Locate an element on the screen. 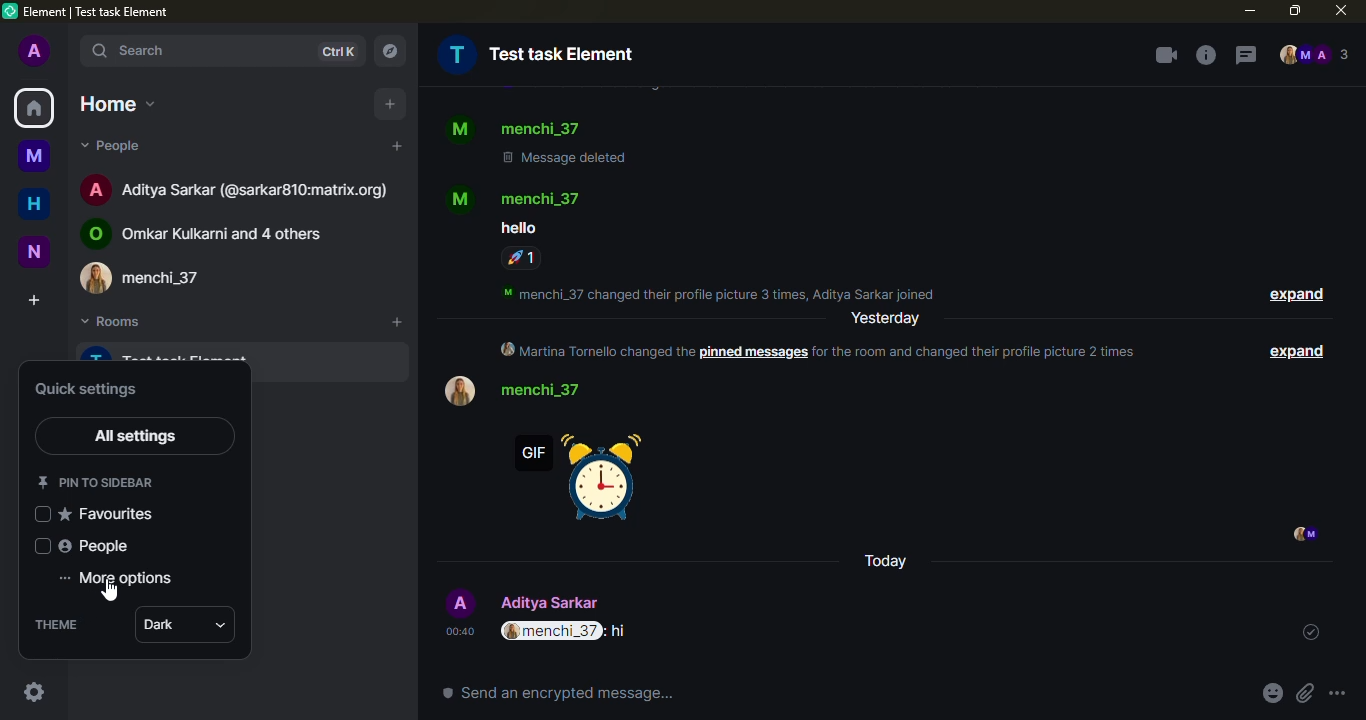 The image size is (1366, 720). drop down is located at coordinates (227, 626).